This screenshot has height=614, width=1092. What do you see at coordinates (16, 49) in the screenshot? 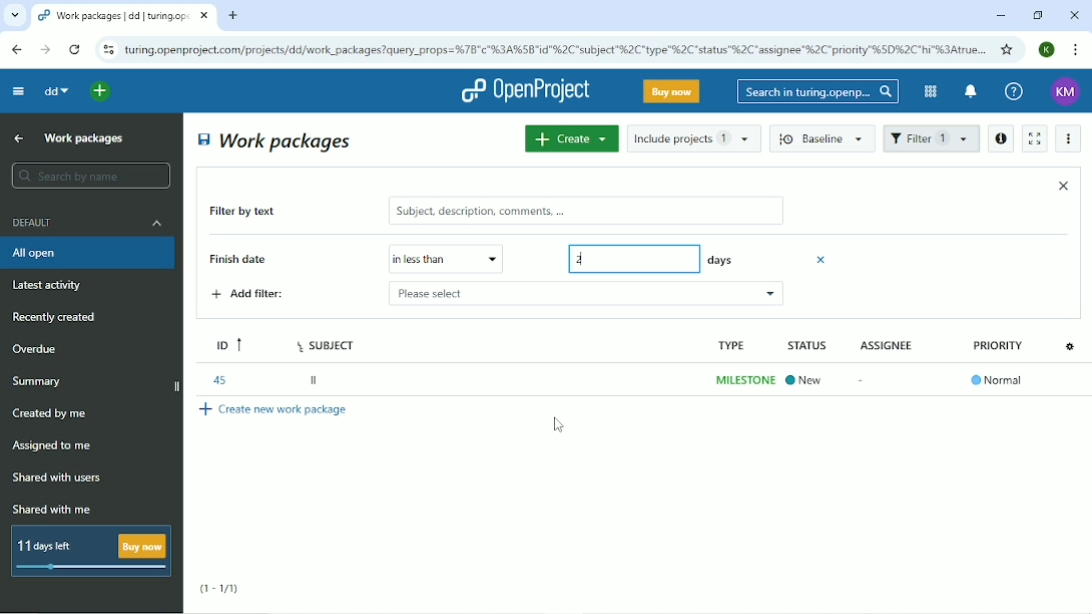
I see `Back` at bounding box center [16, 49].